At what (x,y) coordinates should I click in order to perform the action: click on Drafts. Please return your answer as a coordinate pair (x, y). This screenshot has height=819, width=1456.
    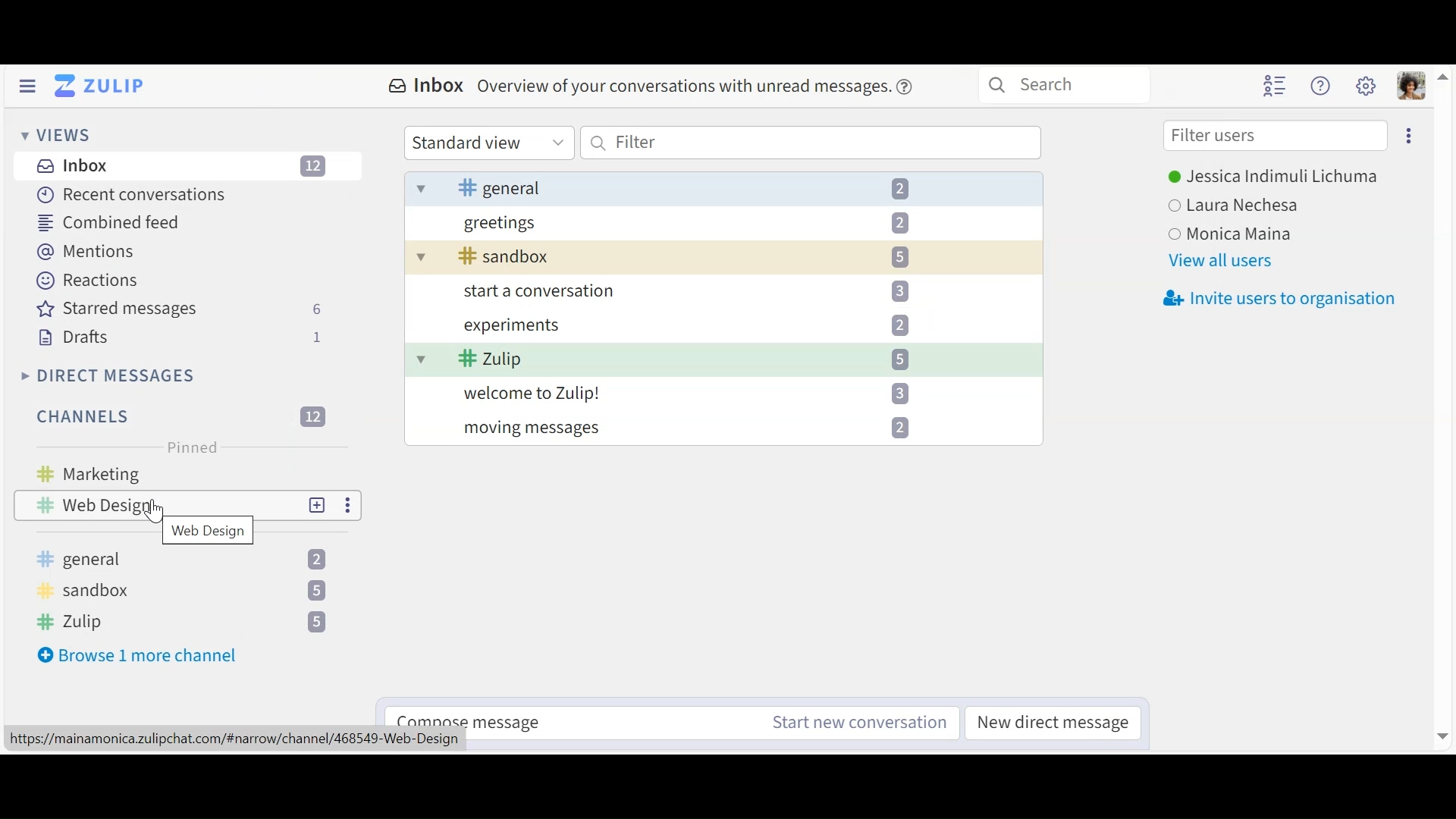
    Looking at the image, I should click on (180, 337).